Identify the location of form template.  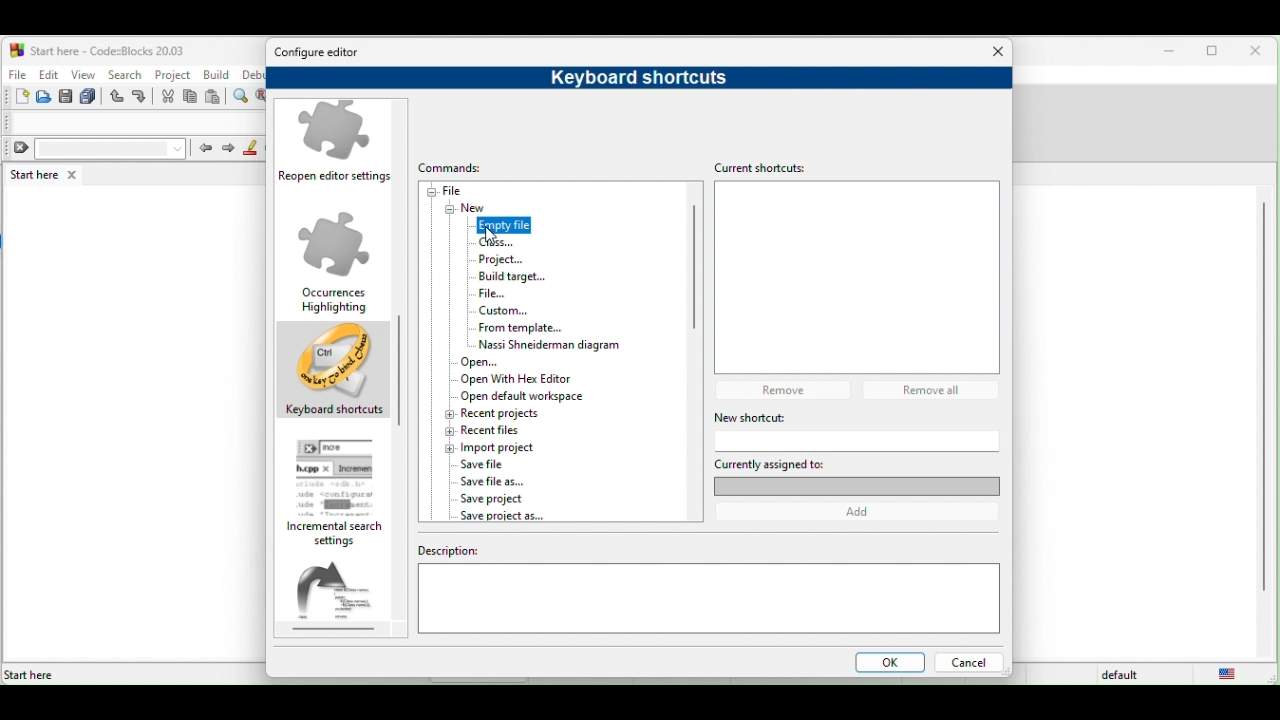
(520, 327).